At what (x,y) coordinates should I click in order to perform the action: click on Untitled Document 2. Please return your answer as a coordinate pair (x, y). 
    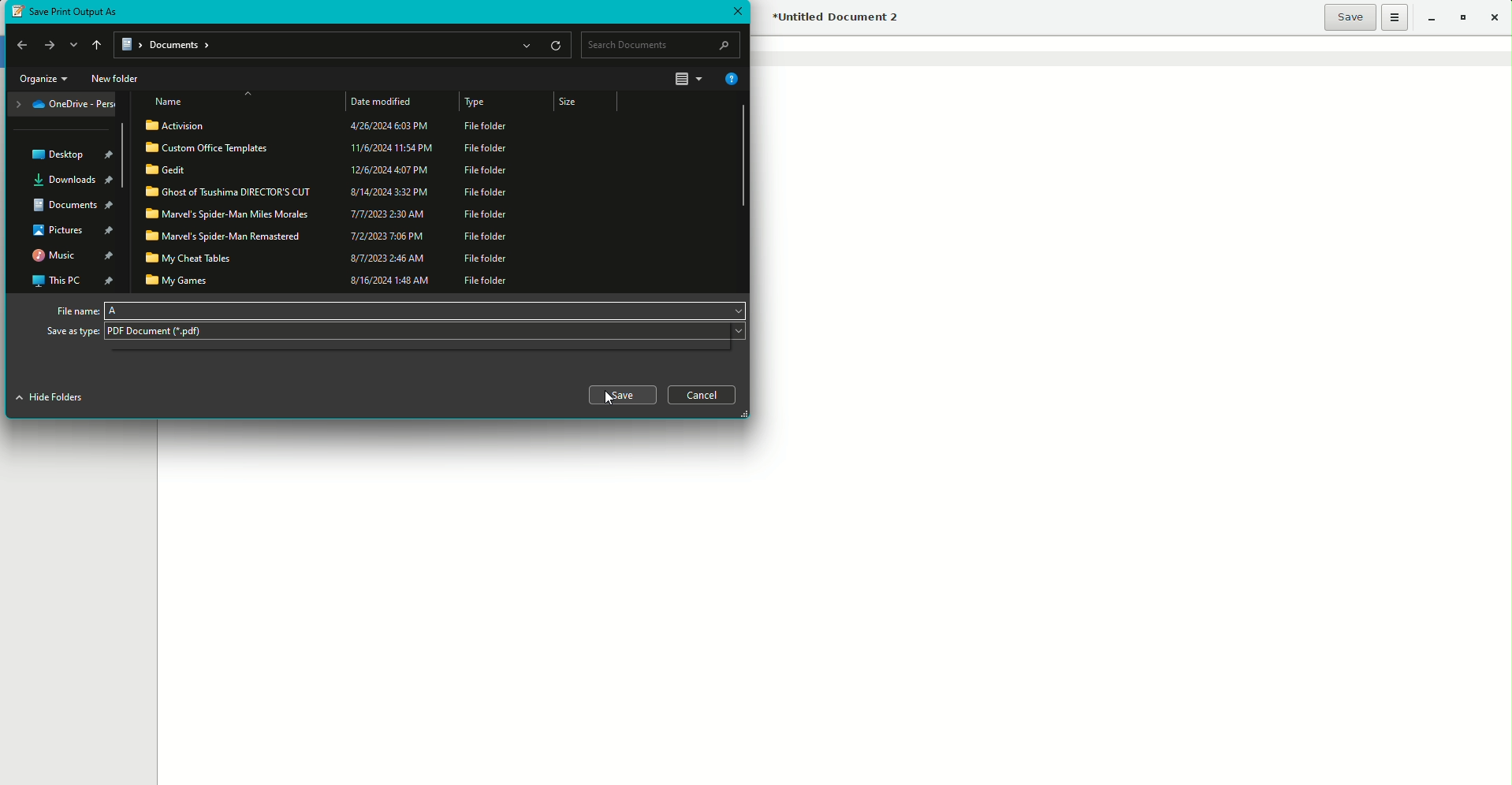
    Looking at the image, I should click on (838, 19).